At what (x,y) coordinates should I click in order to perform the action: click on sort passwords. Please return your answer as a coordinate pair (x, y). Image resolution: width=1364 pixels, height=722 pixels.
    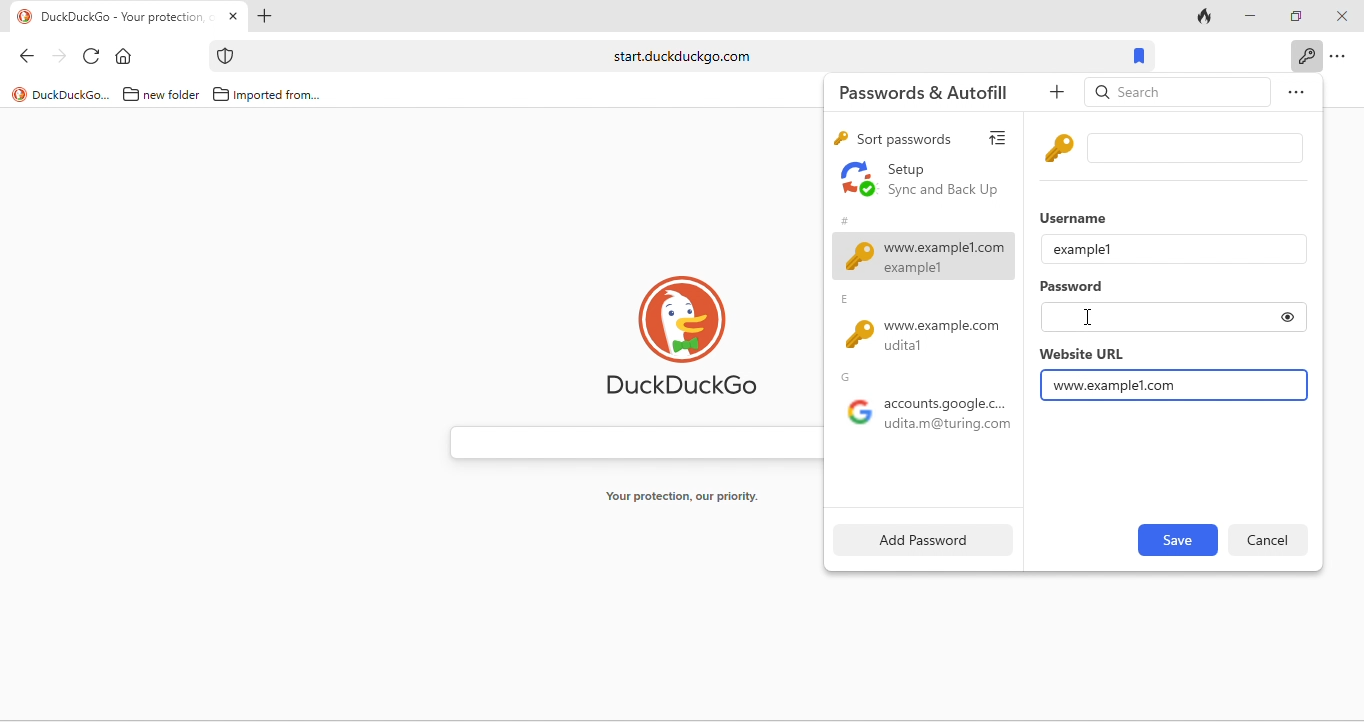
    Looking at the image, I should click on (905, 139).